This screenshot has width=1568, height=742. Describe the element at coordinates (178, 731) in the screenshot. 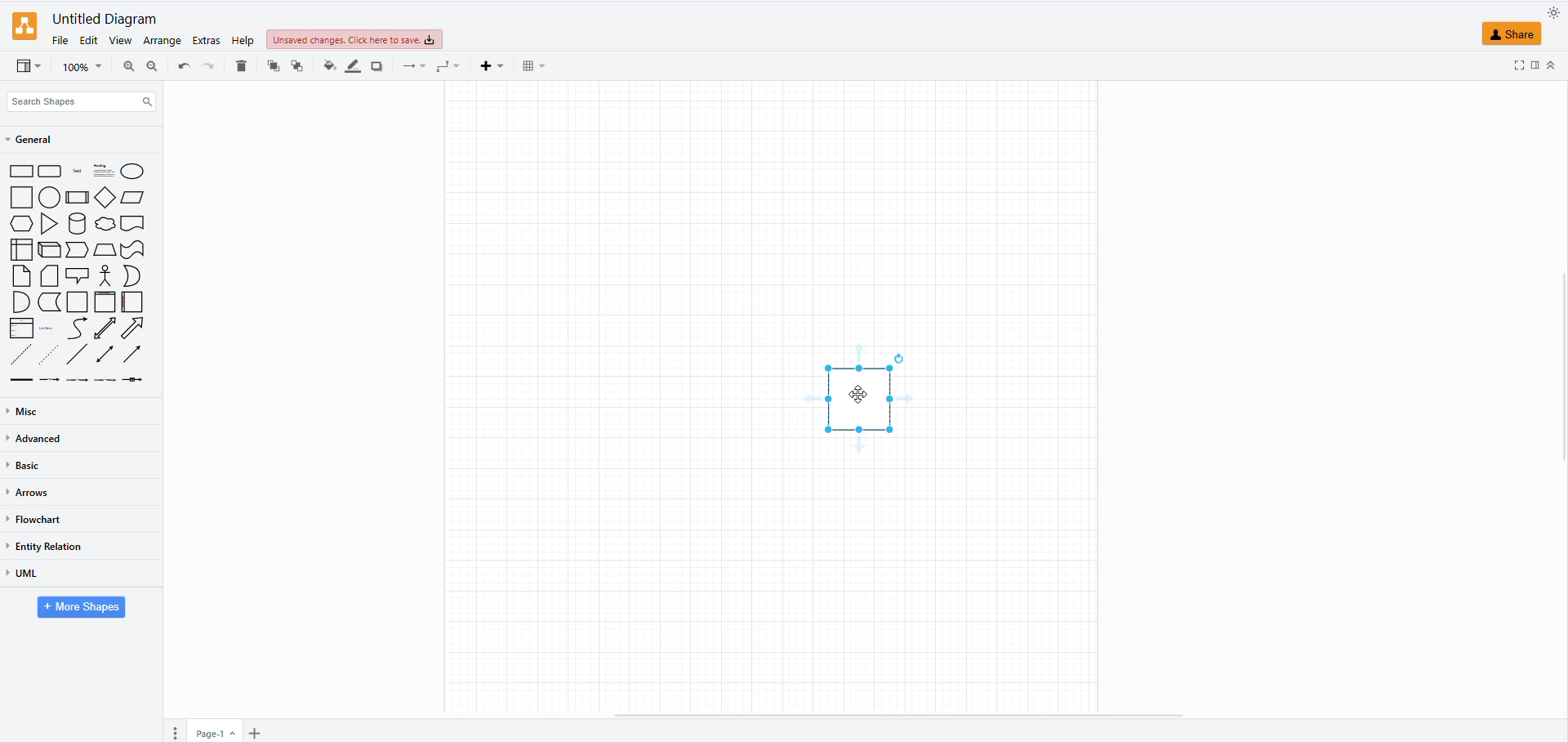

I see `pages` at that location.